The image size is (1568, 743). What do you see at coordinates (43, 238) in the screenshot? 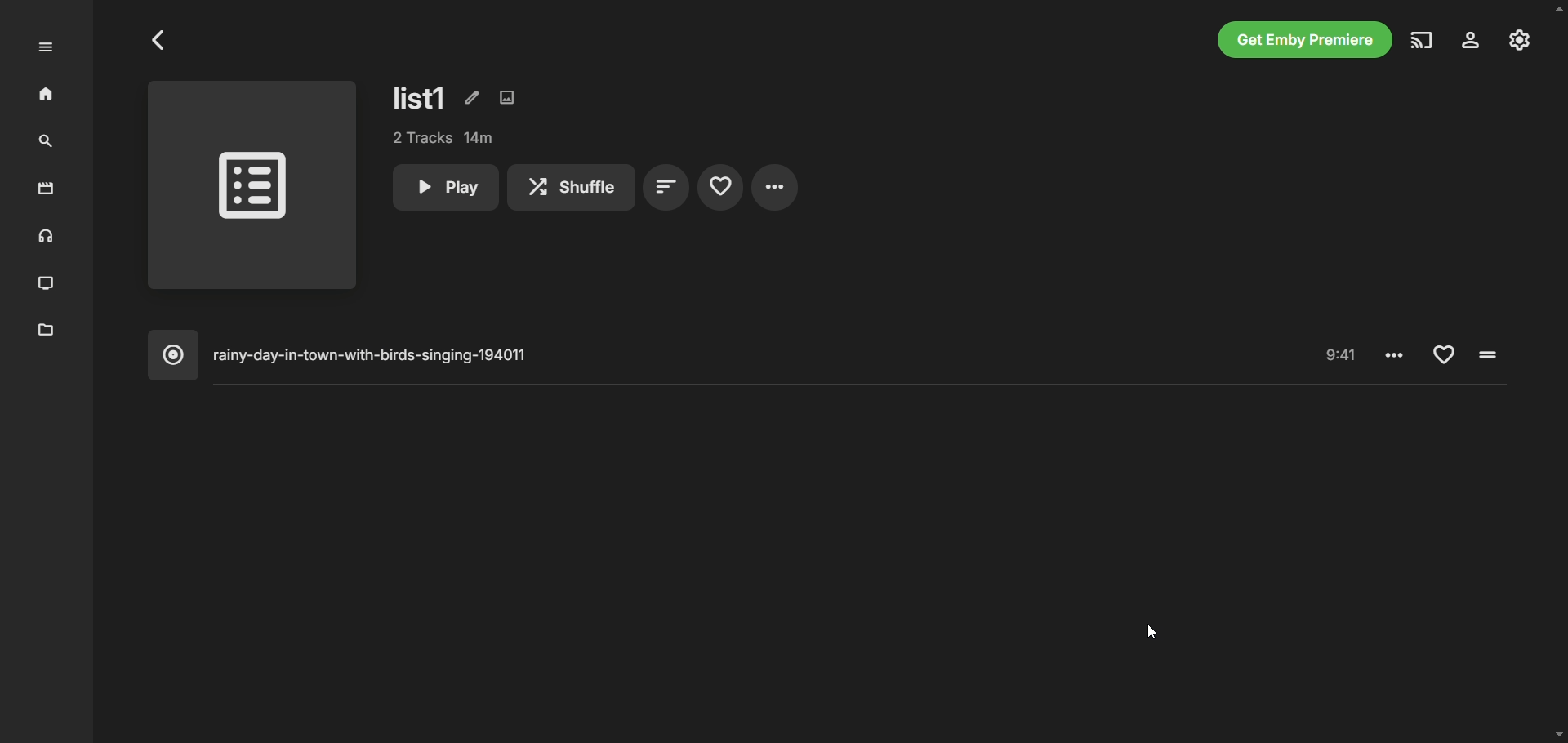
I see `music` at bounding box center [43, 238].